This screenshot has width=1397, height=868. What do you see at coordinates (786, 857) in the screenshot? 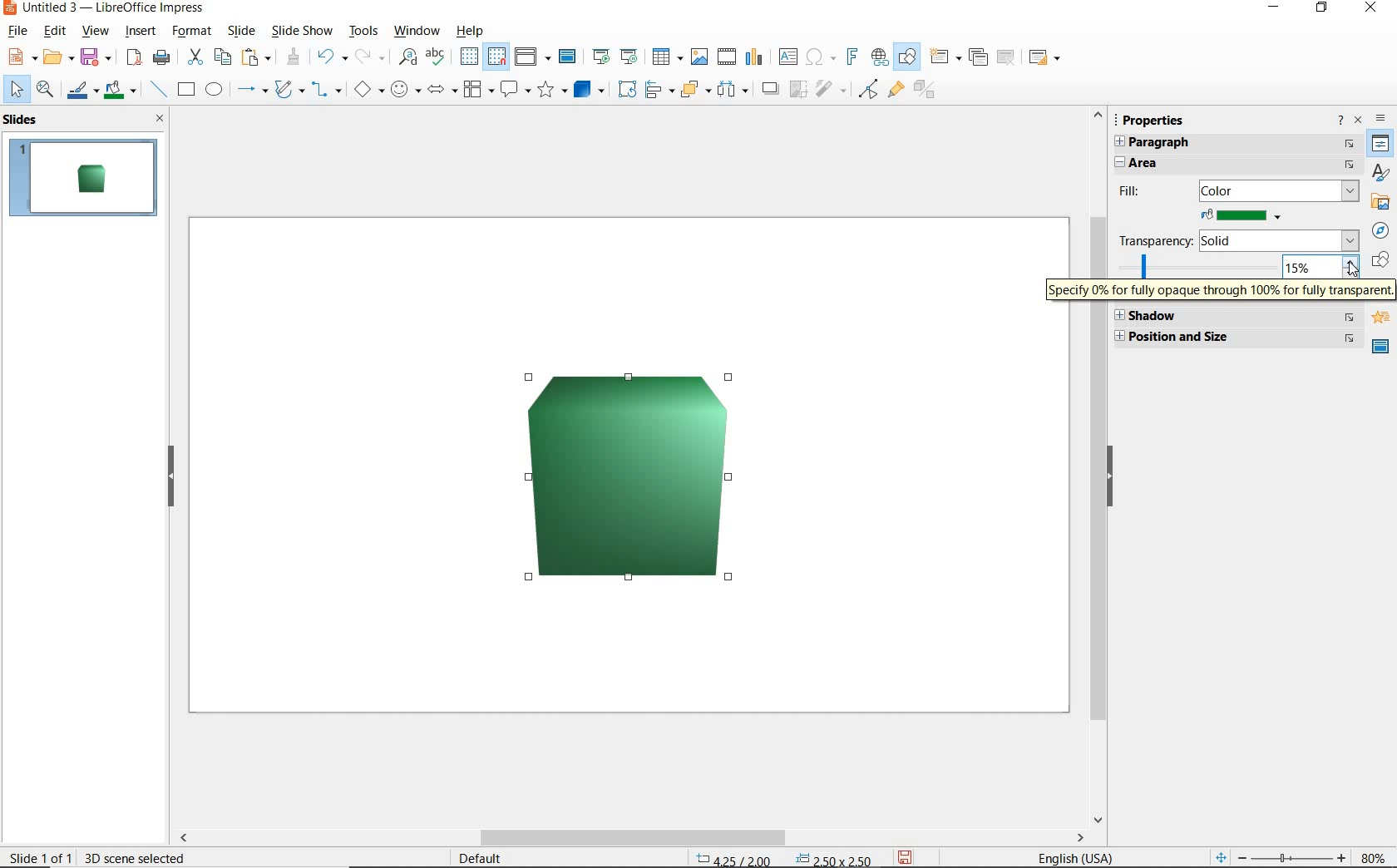
I see `POSITION AND SIZE` at bounding box center [786, 857].